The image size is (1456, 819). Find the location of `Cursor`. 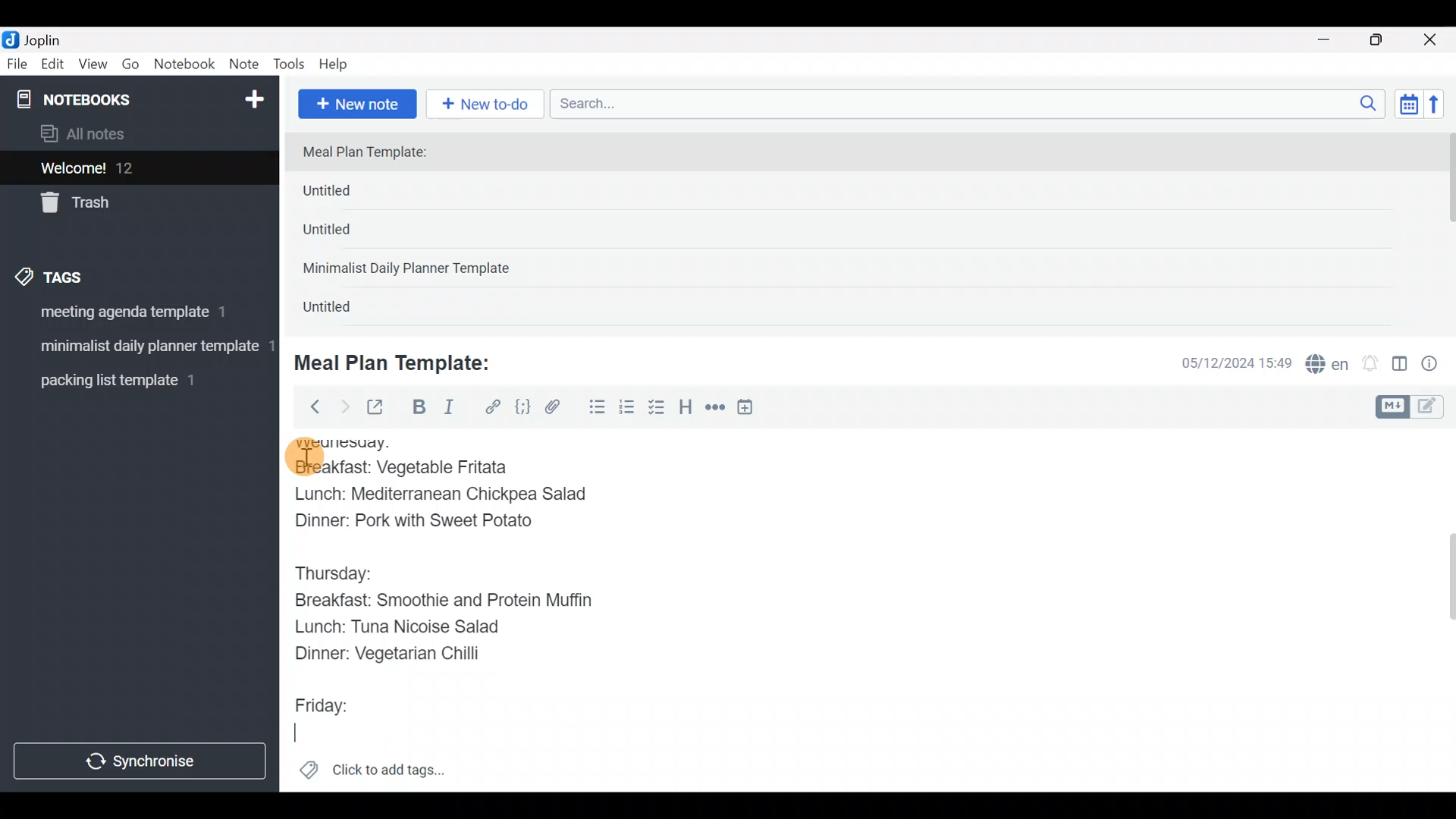

Cursor is located at coordinates (298, 729).